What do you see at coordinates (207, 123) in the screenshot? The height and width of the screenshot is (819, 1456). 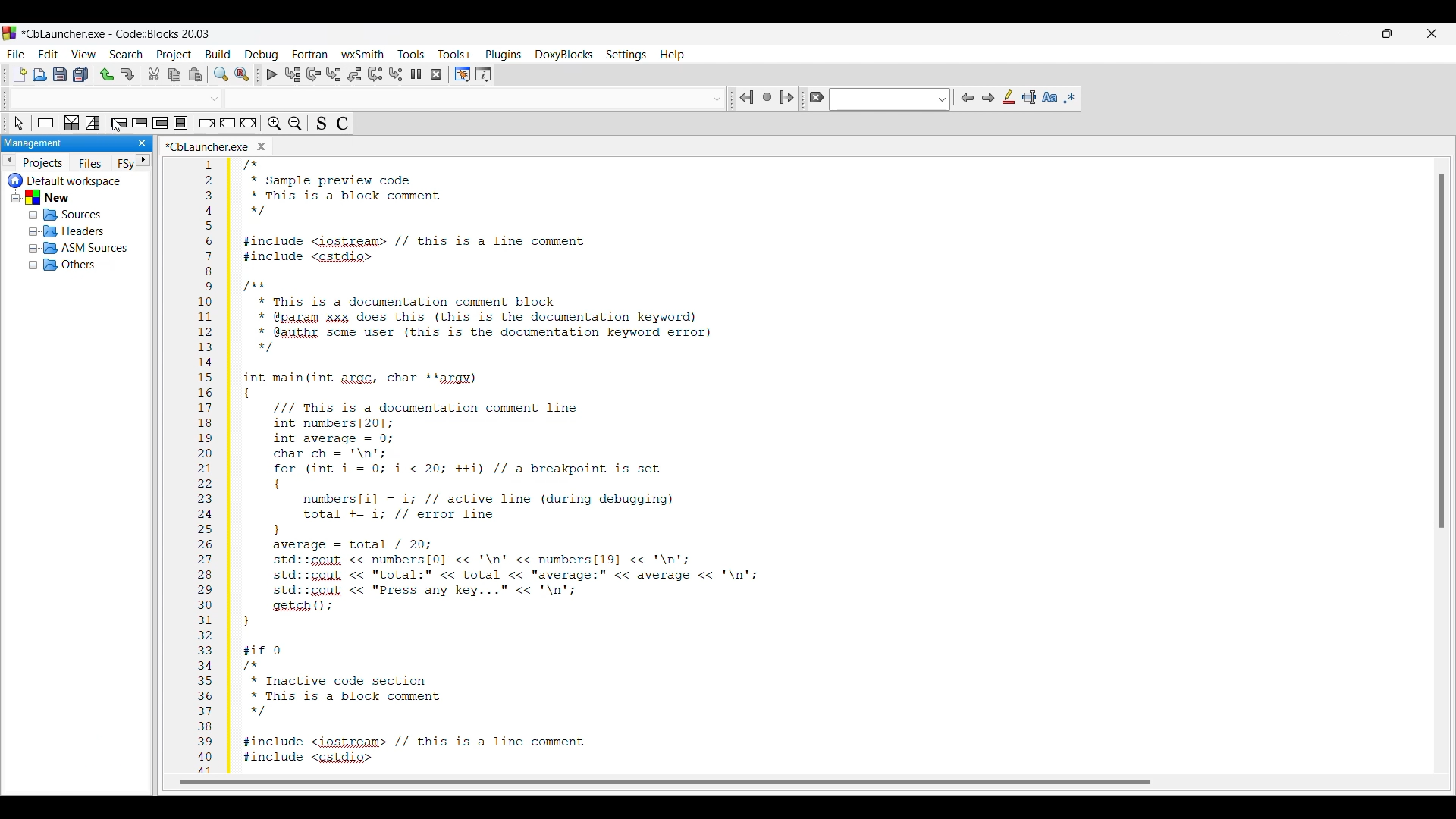 I see `Break instruction` at bounding box center [207, 123].